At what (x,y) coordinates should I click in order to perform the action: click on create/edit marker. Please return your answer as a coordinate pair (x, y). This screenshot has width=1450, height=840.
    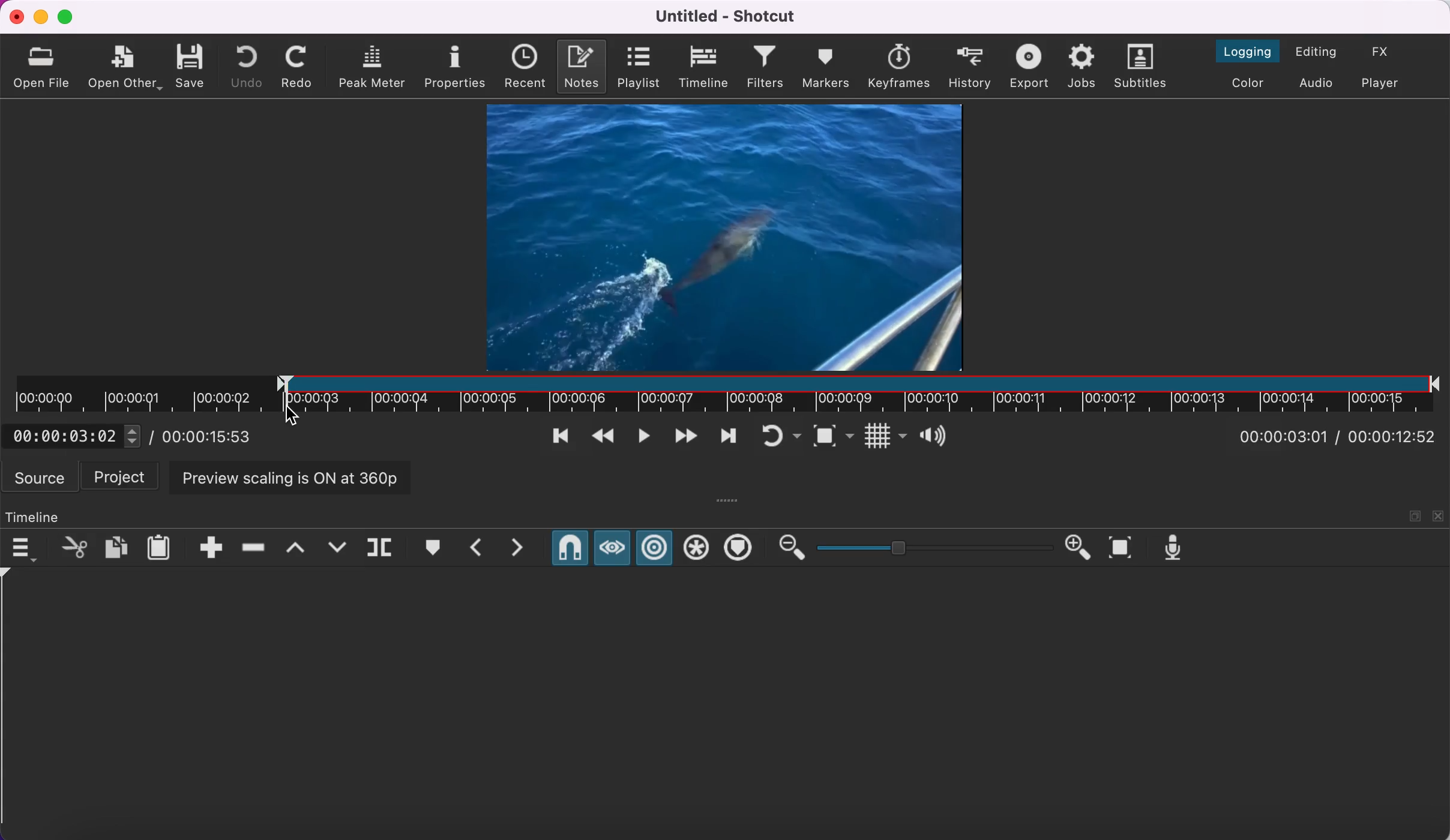
    Looking at the image, I should click on (432, 545).